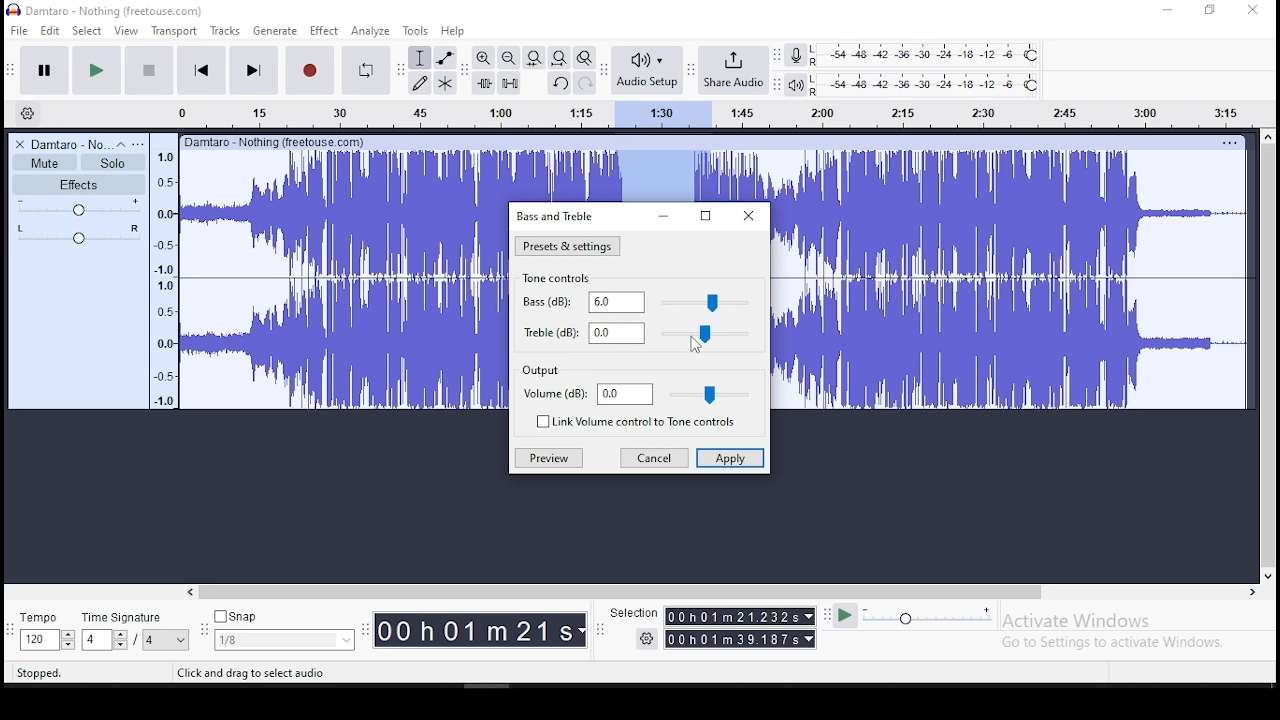 The height and width of the screenshot is (720, 1280). Describe the element at coordinates (1251, 592) in the screenshot. I see `right` at that location.